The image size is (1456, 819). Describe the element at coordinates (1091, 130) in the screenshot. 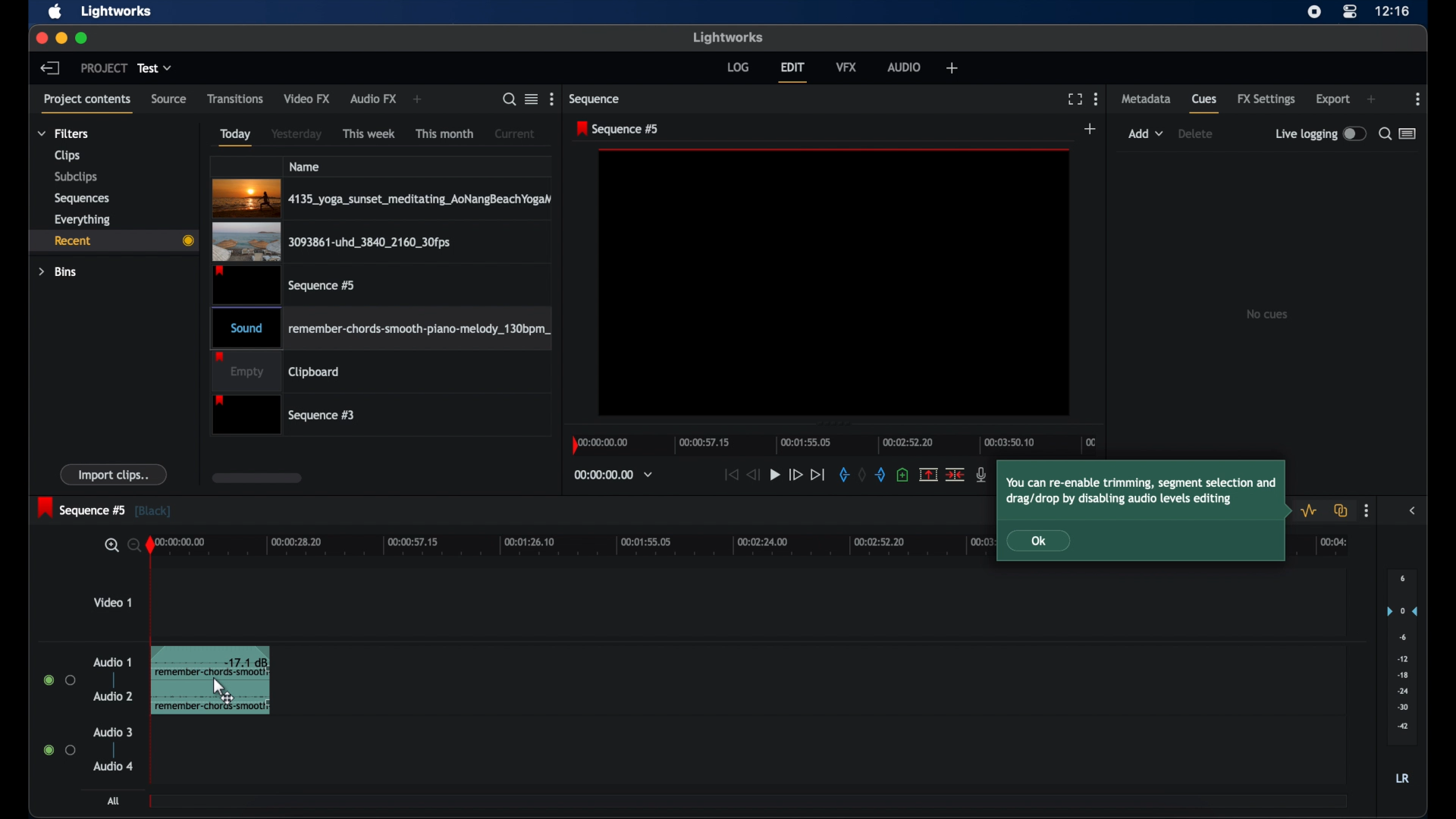

I see `add` at that location.